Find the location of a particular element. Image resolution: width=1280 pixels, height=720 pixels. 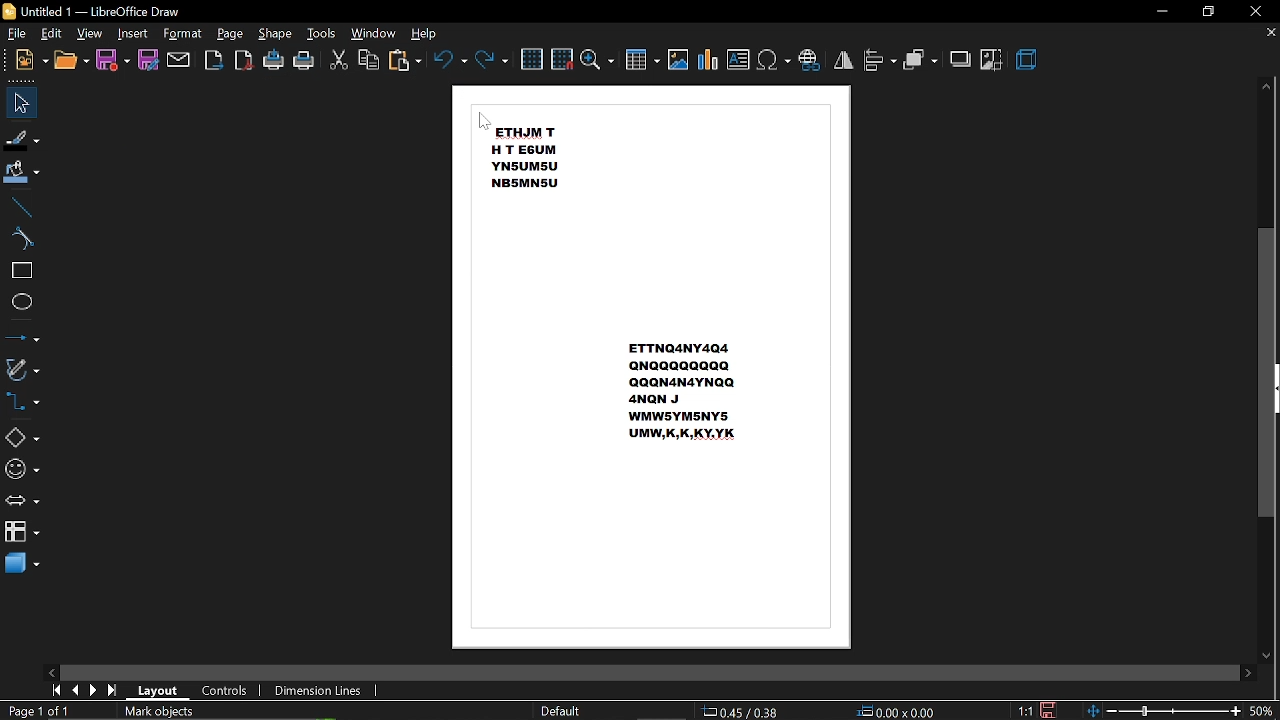

shadow is located at coordinates (960, 59).